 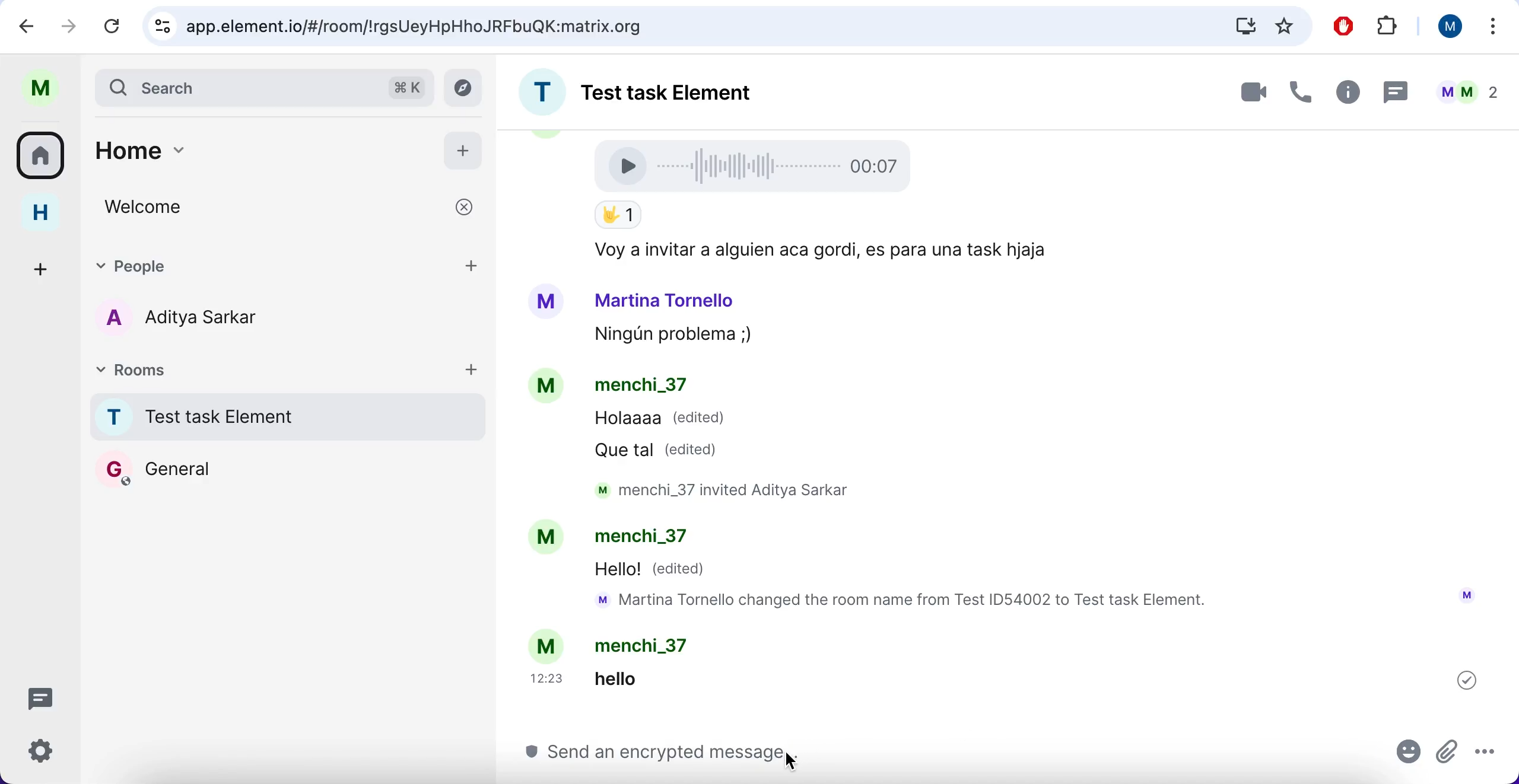 I want to click on Ningun problema ;,, so click(x=667, y=336).